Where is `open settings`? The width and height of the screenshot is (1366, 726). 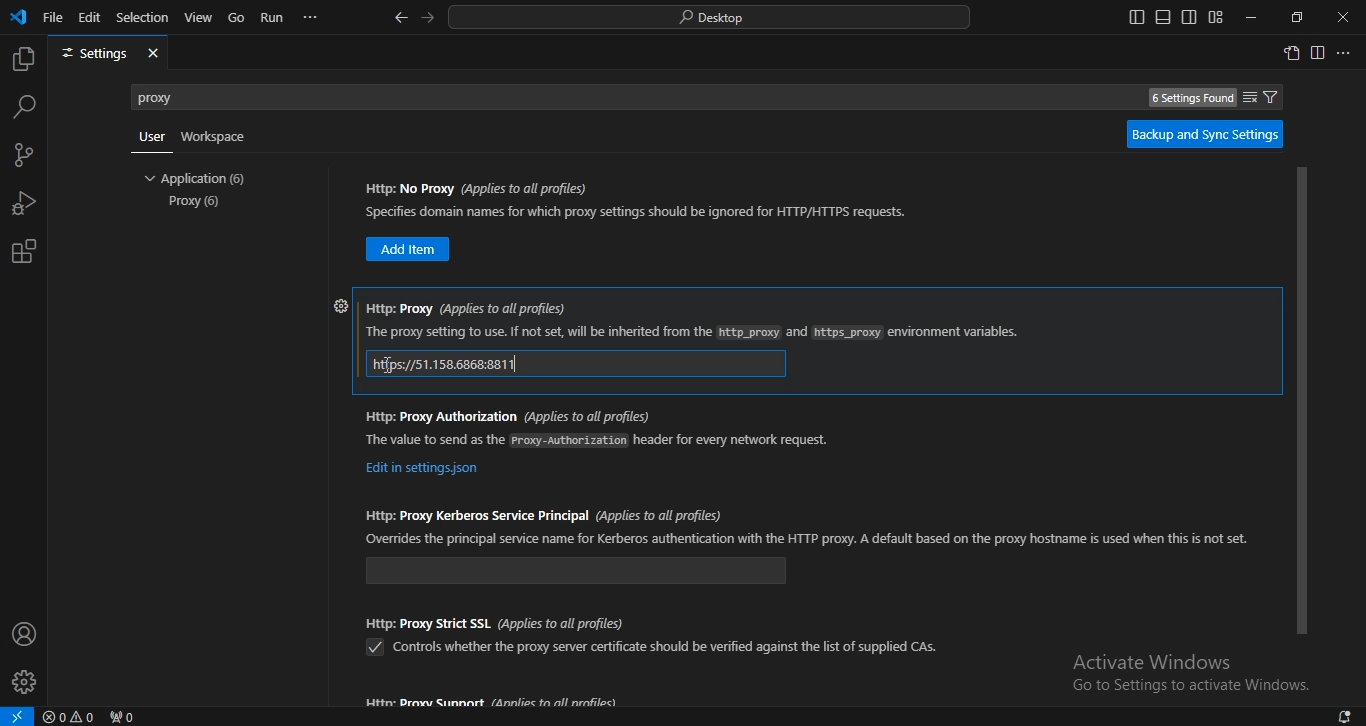
open settings is located at coordinates (1293, 55).